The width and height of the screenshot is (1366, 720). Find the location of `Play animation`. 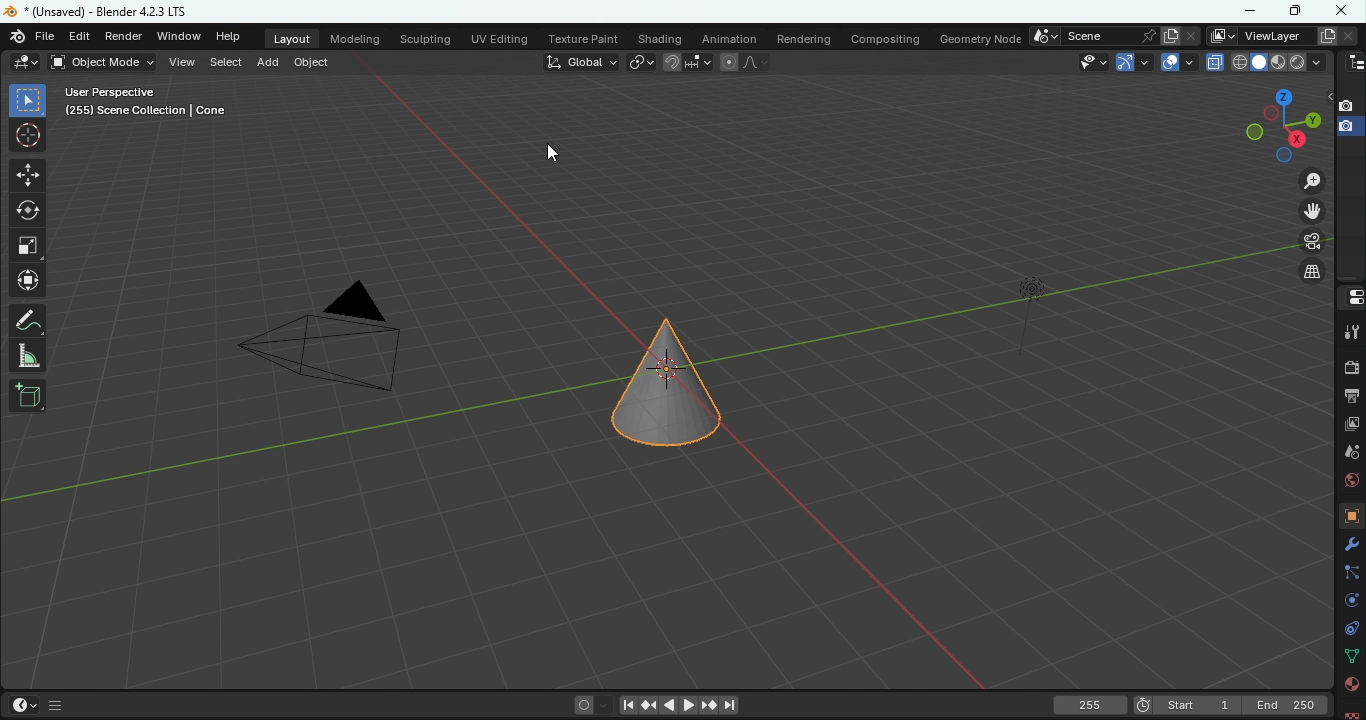

Play animation is located at coordinates (666, 705).